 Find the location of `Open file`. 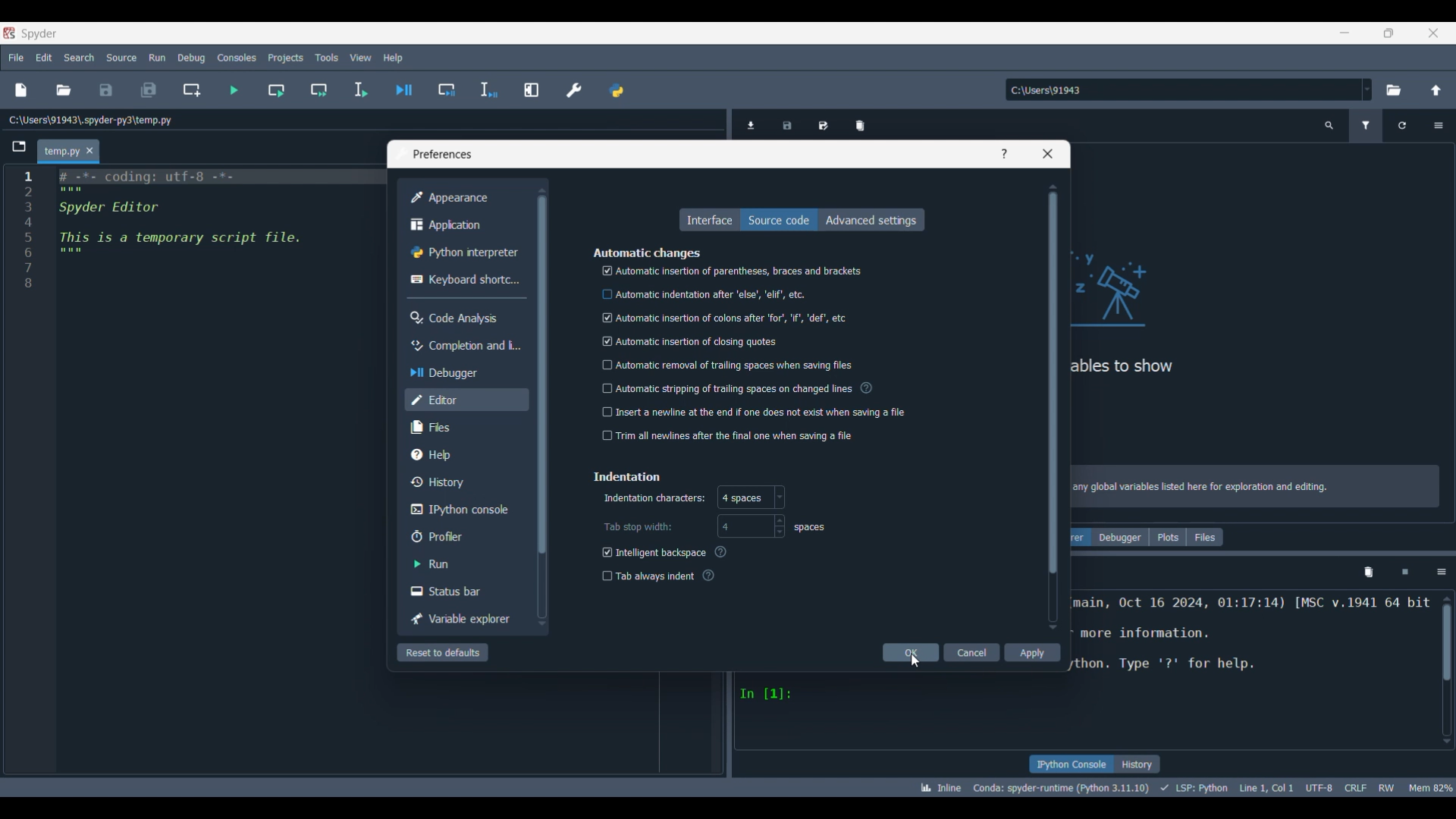

Open file is located at coordinates (64, 90).